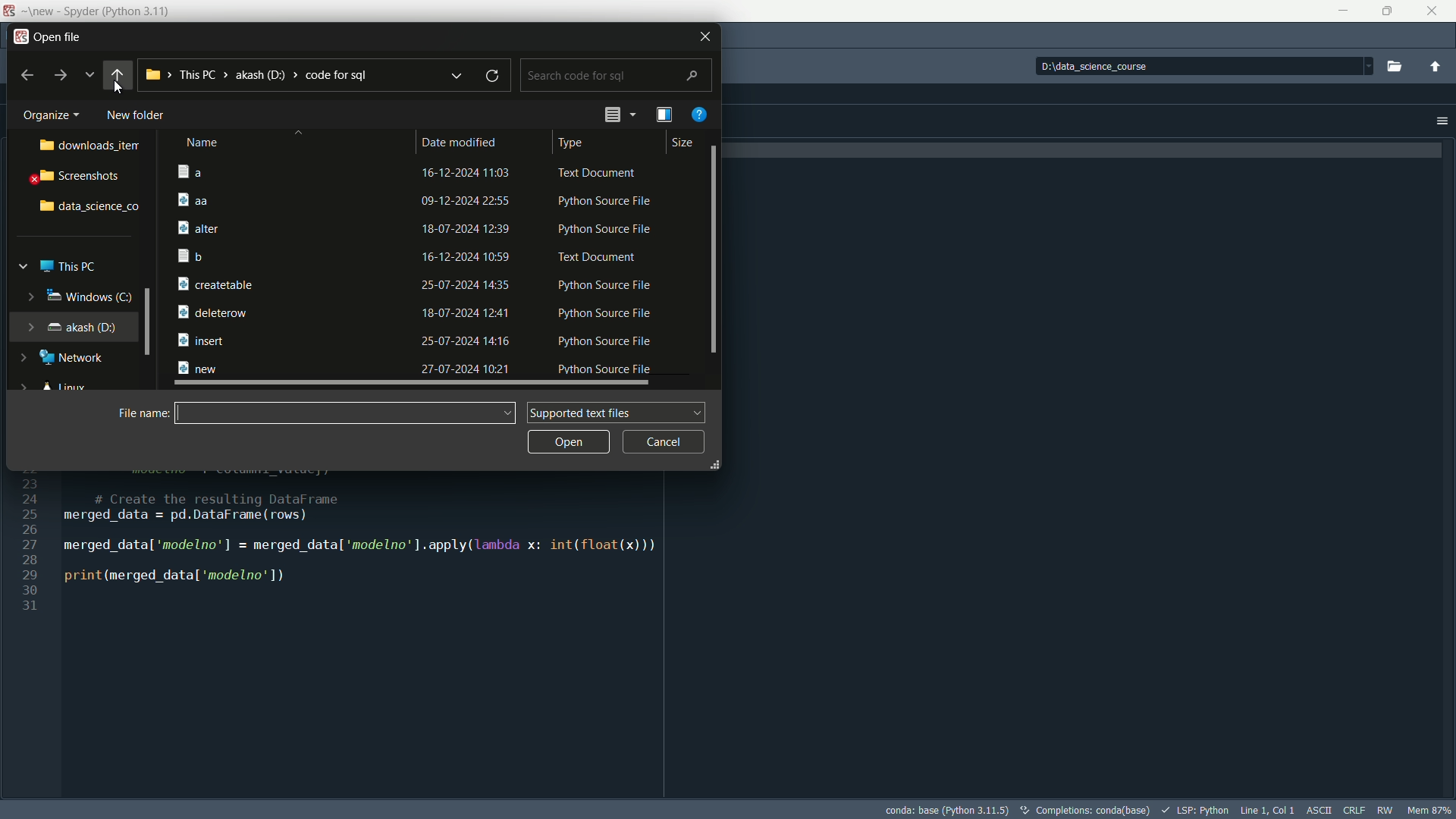  What do you see at coordinates (684, 143) in the screenshot?
I see `size` at bounding box center [684, 143].